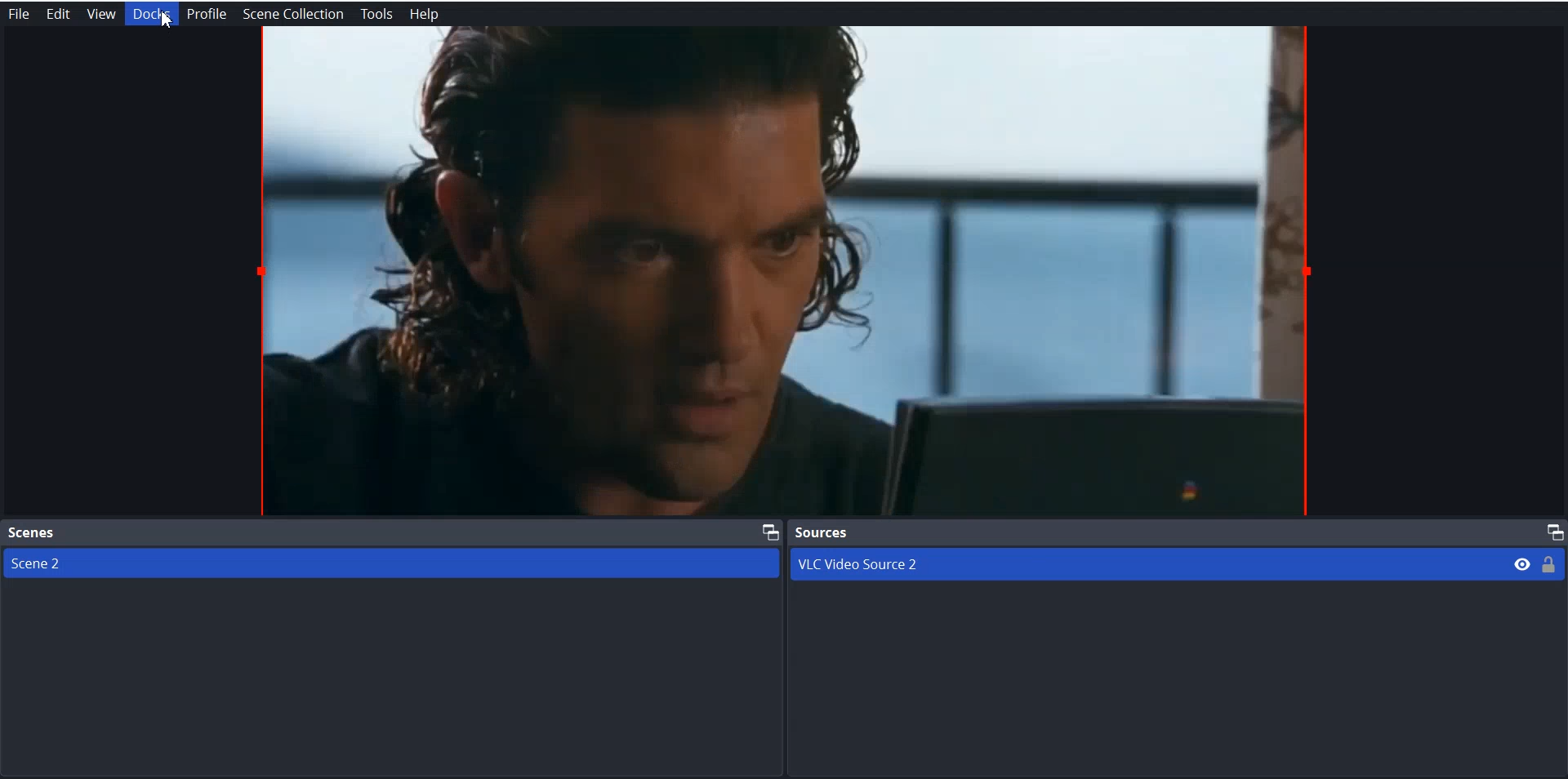  I want to click on File Preview window, so click(784, 273).